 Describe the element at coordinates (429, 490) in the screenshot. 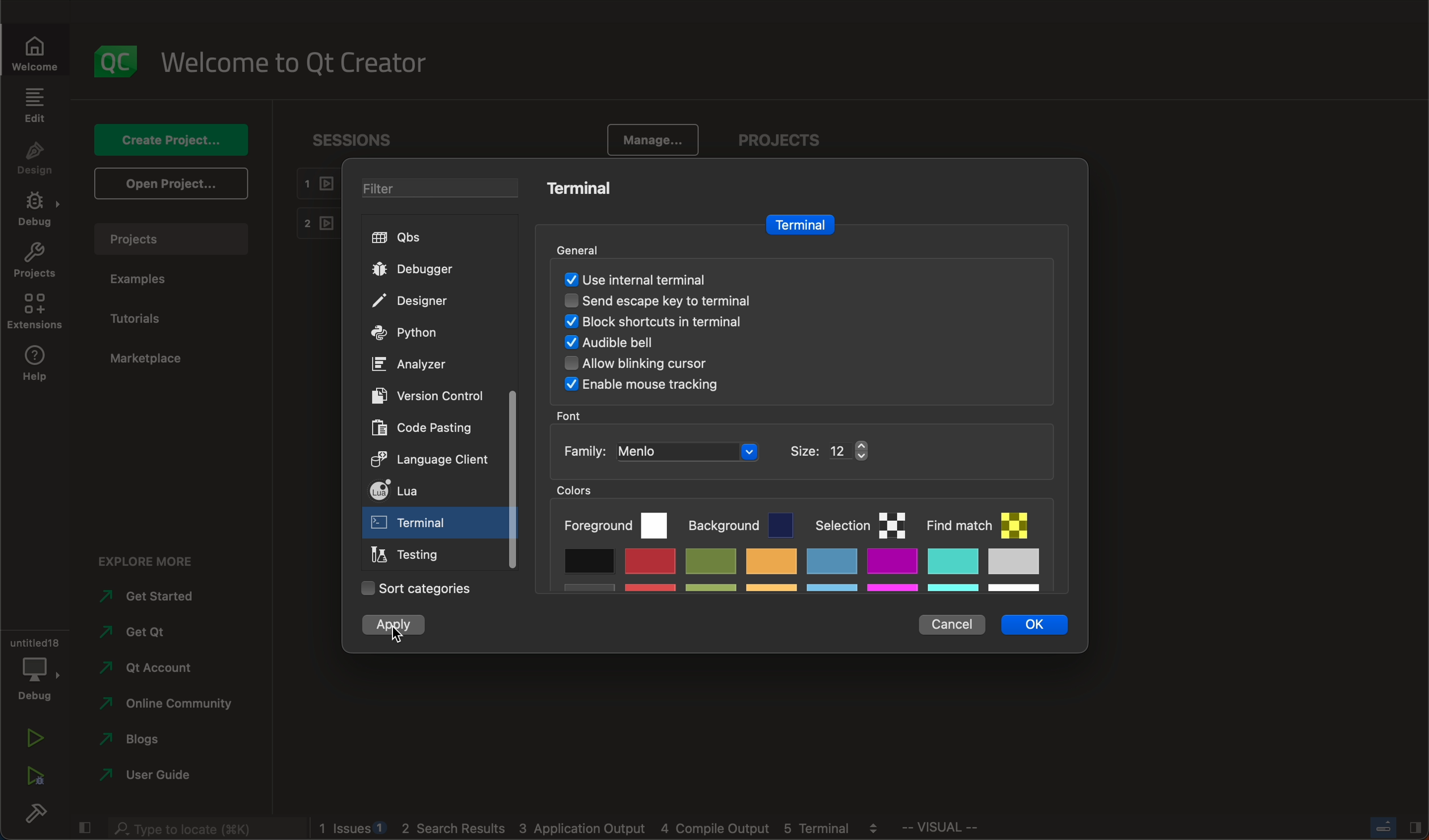

I see `lua` at that location.